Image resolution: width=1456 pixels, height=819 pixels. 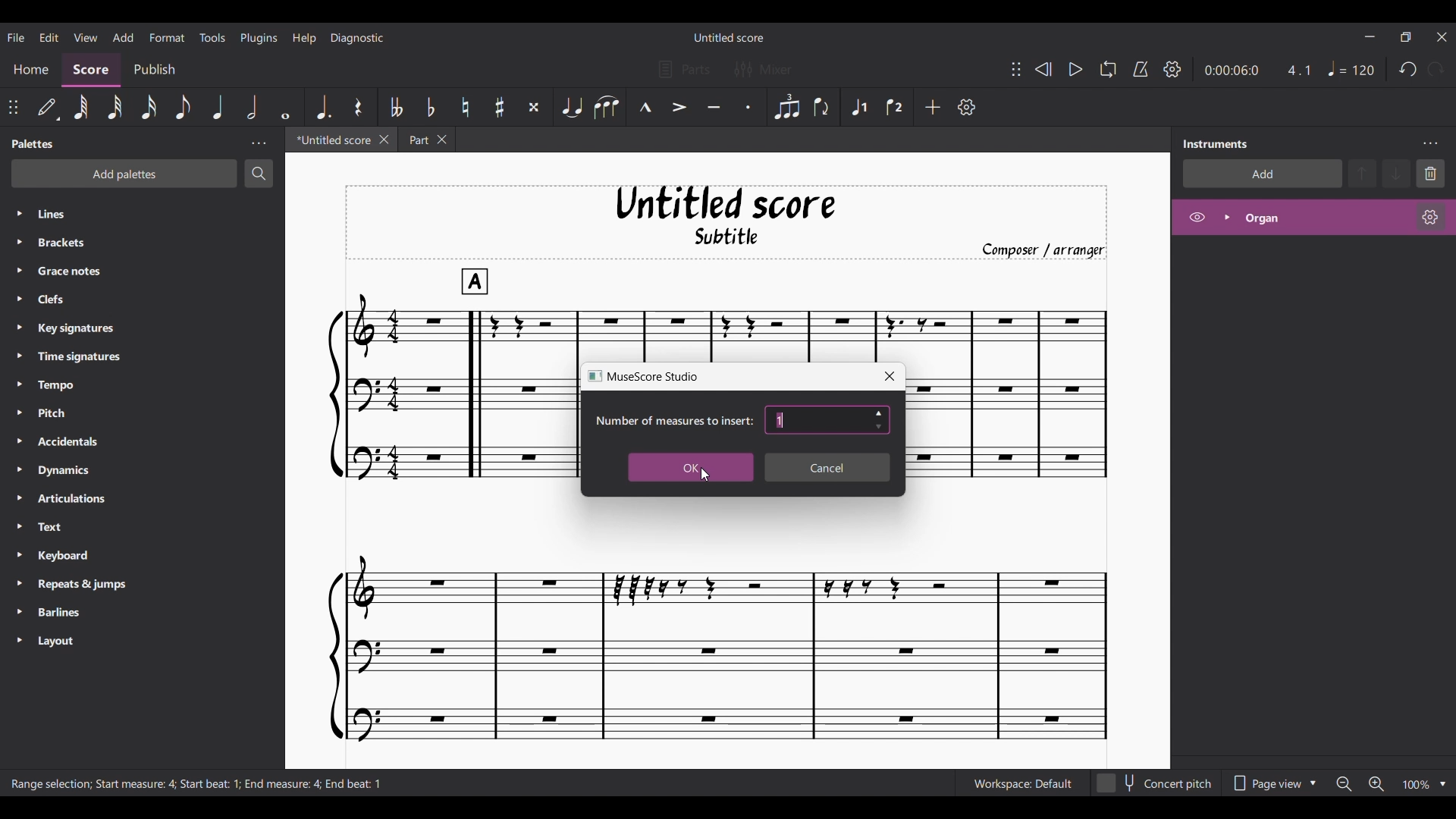 What do you see at coordinates (1417, 785) in the screenshot?
I see `Current zoom factor` at bounding box center [1417, 785].